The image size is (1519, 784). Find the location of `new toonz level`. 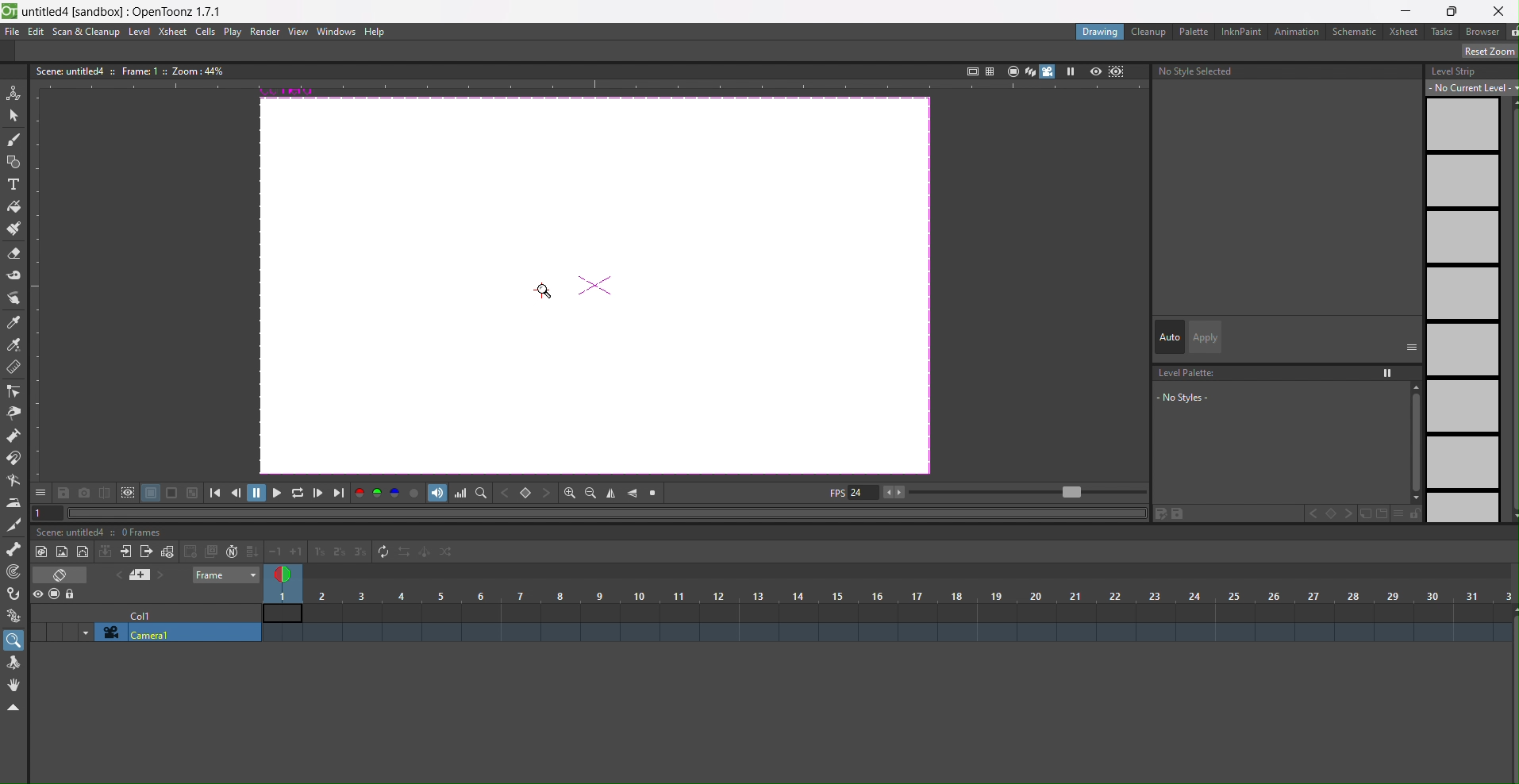

new toonz level is located at coordinates (83, 553).